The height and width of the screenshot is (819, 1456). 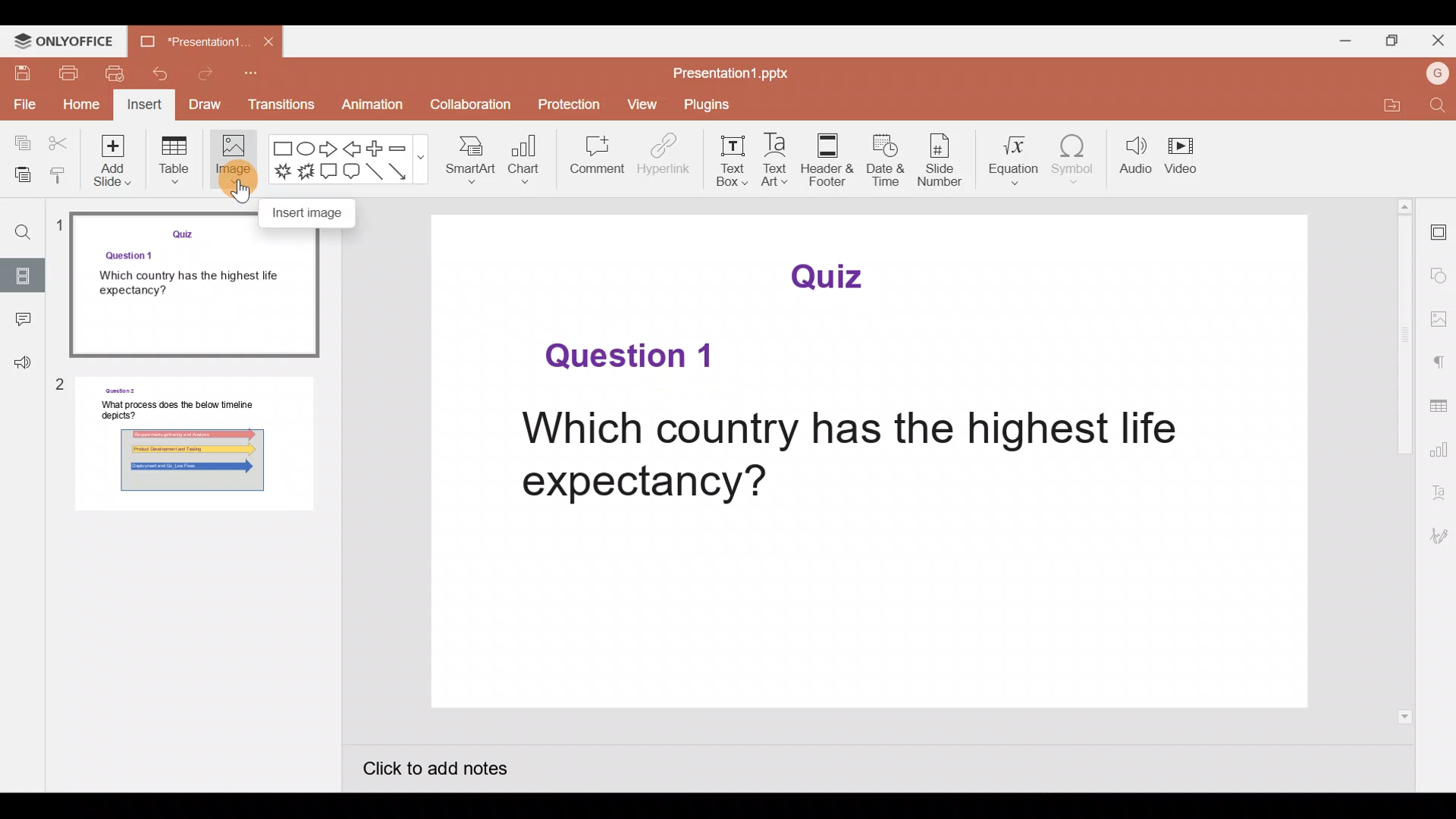 I want to click on Minus, so click(x=406, y=146).